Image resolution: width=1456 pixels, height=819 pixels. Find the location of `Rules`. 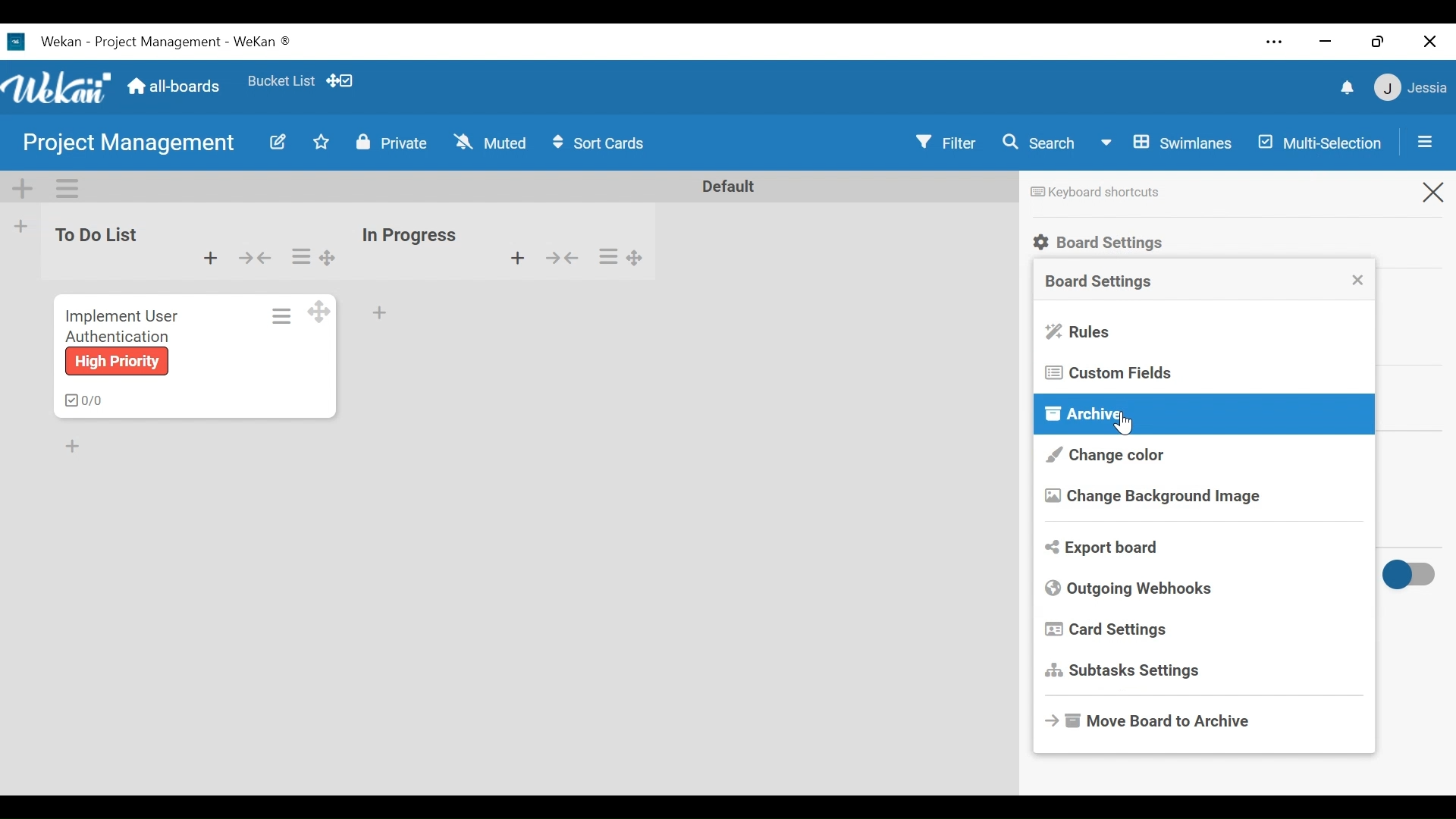

Rules is located at coordinates (1080, 331).